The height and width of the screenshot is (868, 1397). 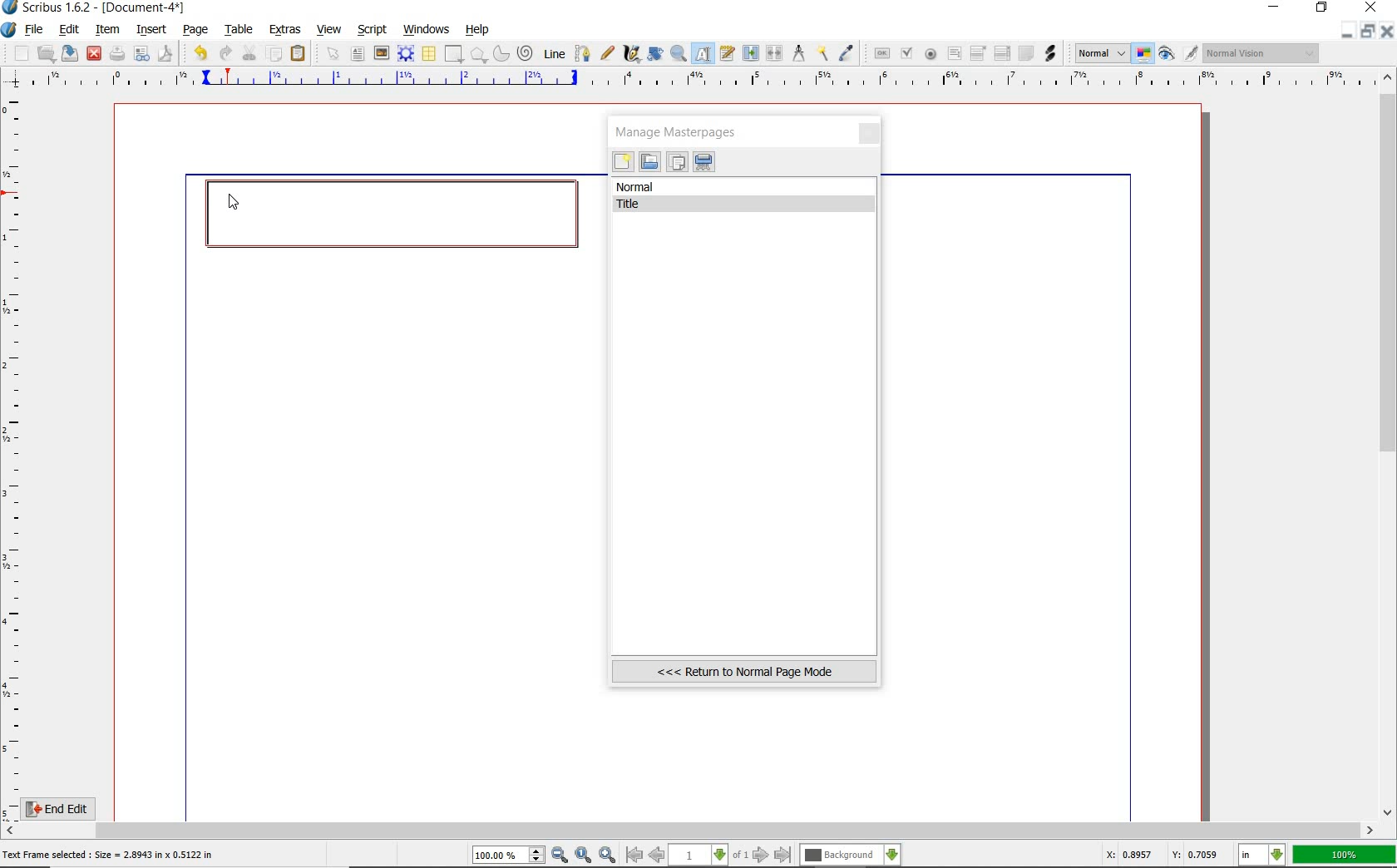 I want to click on go to next page, so click(x=763, y=855).